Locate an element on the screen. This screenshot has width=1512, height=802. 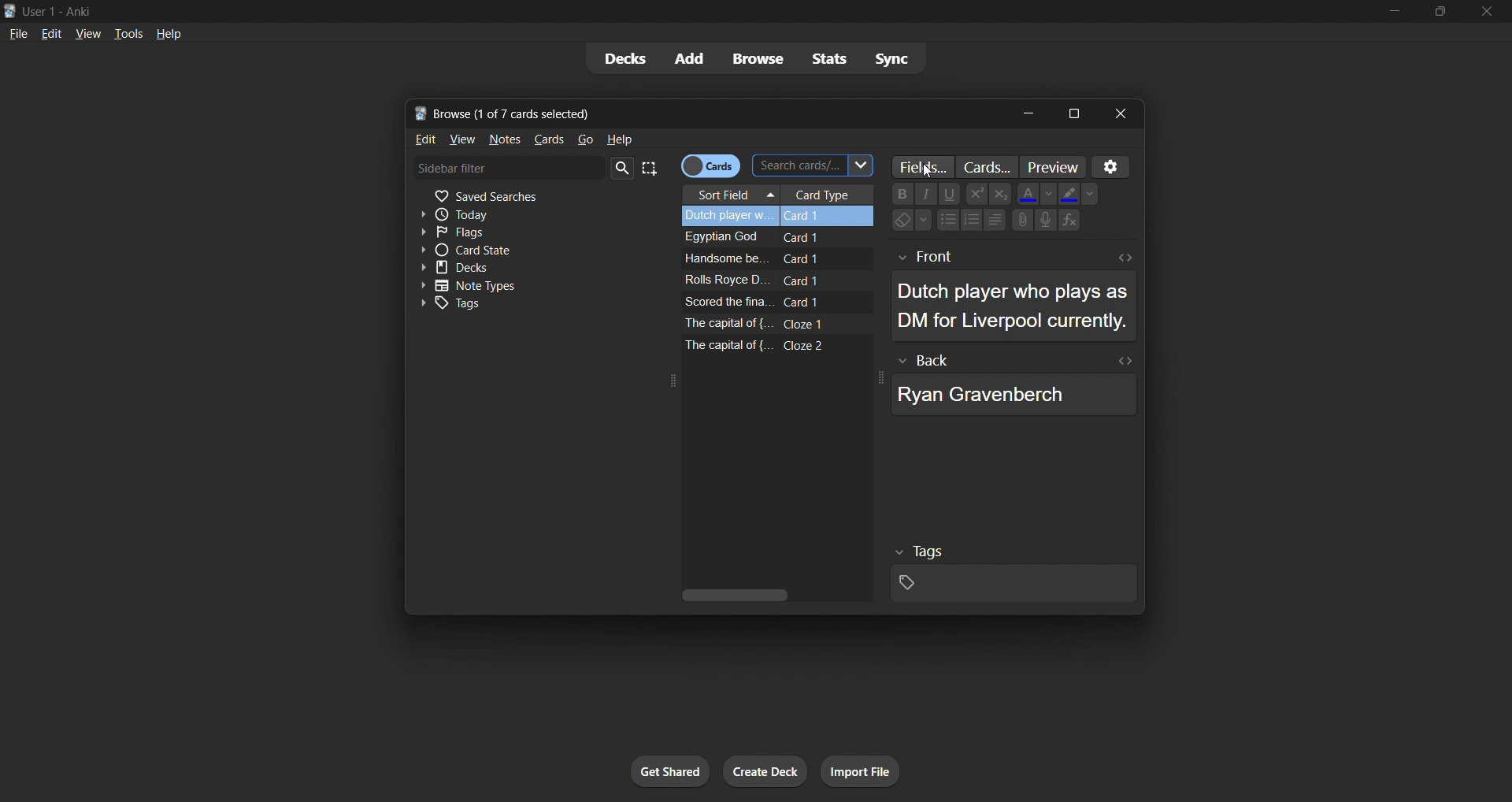
add is located at coordinates (691, 58).